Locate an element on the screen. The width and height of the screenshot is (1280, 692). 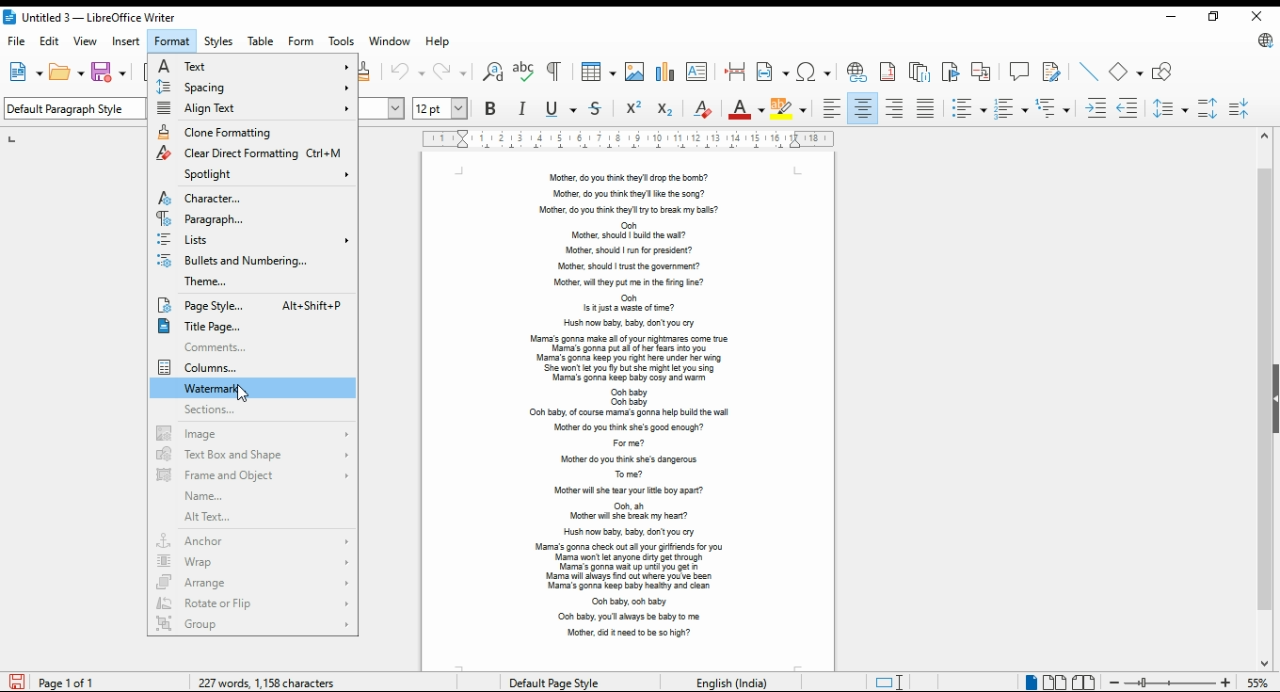
character is located at coordinates (252, 198).